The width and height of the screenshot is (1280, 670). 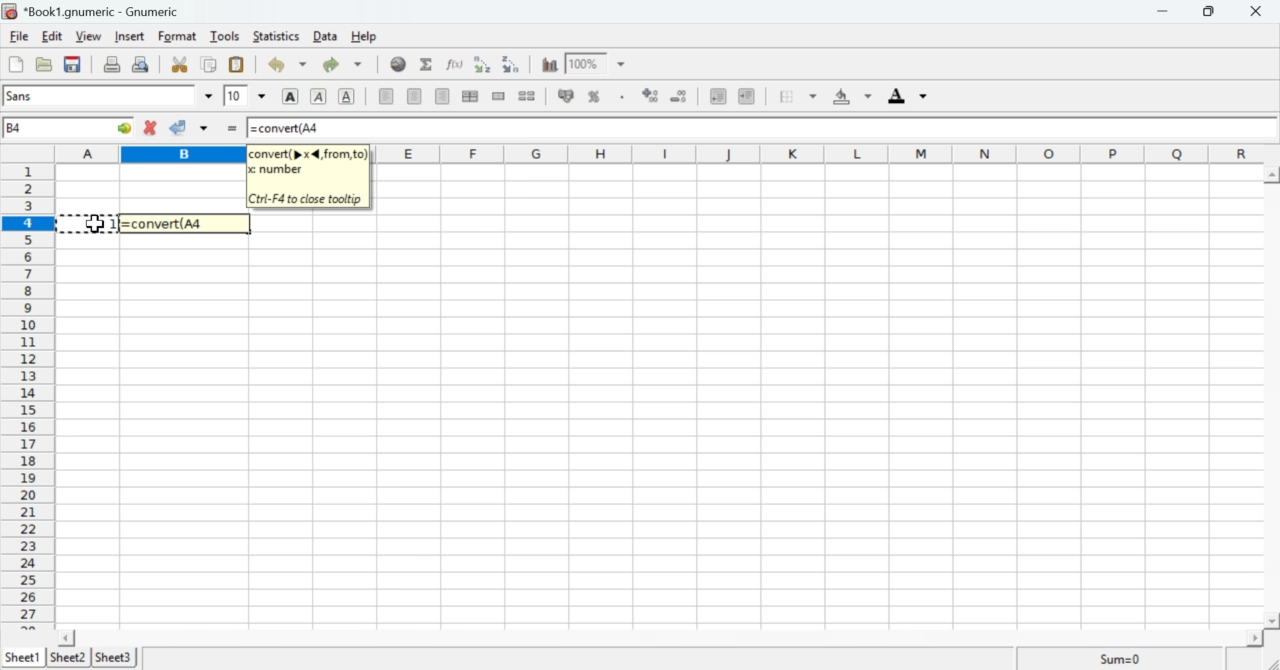 What do you see at coordinates (566, 96) in the screenshot?
I see `Format the selection as accounting` at bounding box center [566, 96].